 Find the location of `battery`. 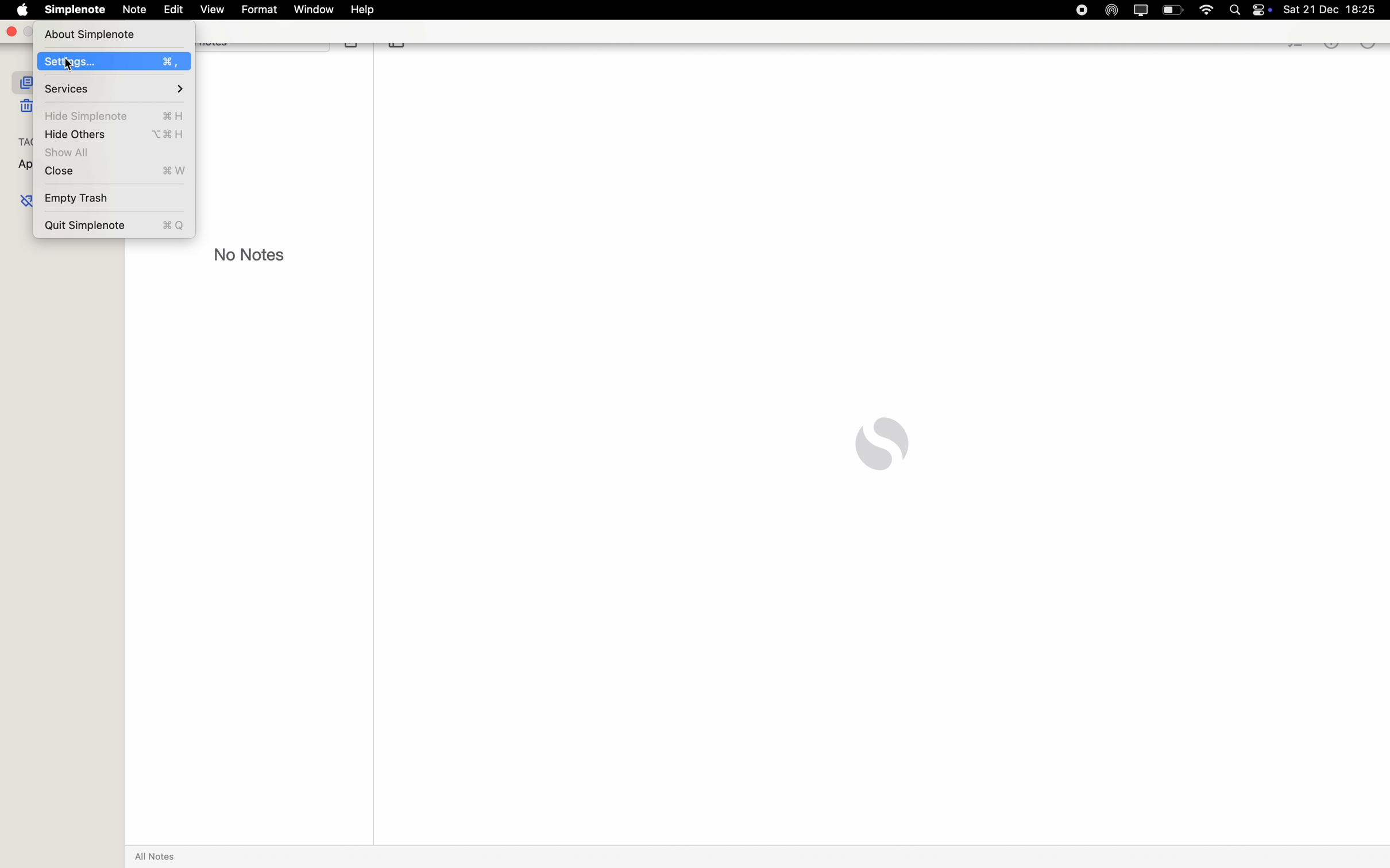

battery is located at coordinates (1170, 10).